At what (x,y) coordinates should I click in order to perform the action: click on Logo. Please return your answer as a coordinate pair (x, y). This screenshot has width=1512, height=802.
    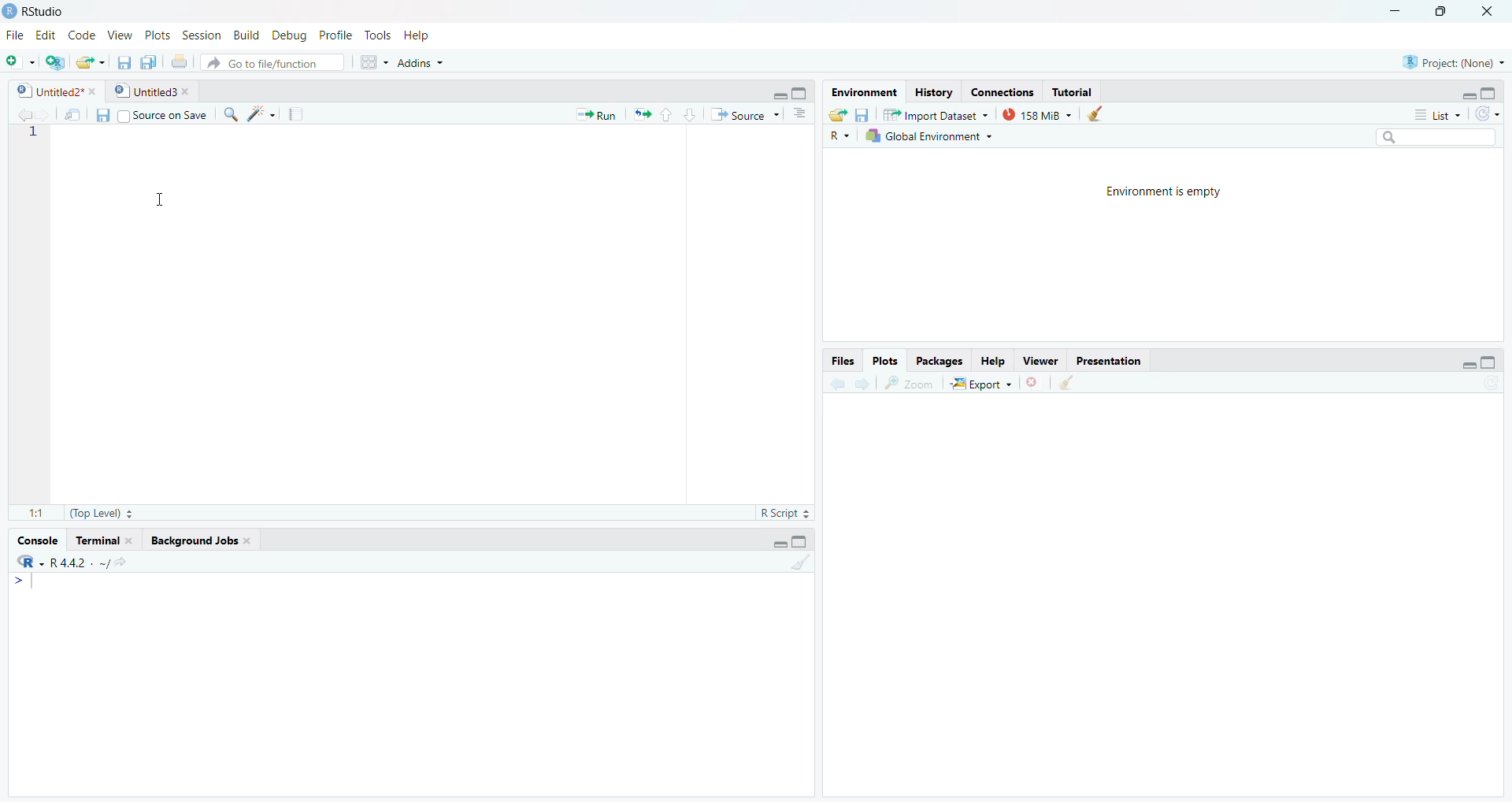
    Looking at the image, I should click on (9, 9).